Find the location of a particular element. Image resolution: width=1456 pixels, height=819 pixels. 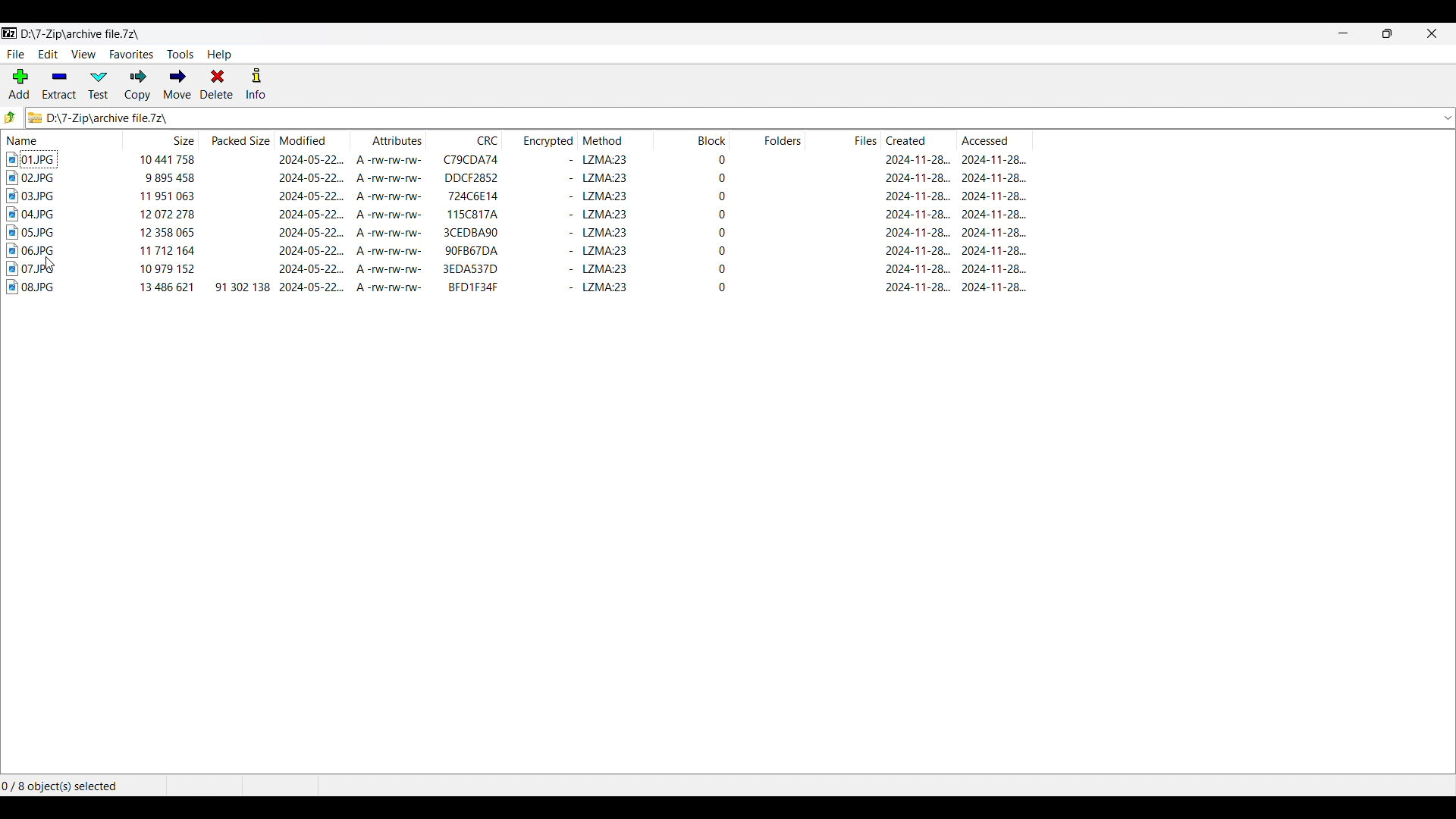

block start is located at coordinates (714, 195).